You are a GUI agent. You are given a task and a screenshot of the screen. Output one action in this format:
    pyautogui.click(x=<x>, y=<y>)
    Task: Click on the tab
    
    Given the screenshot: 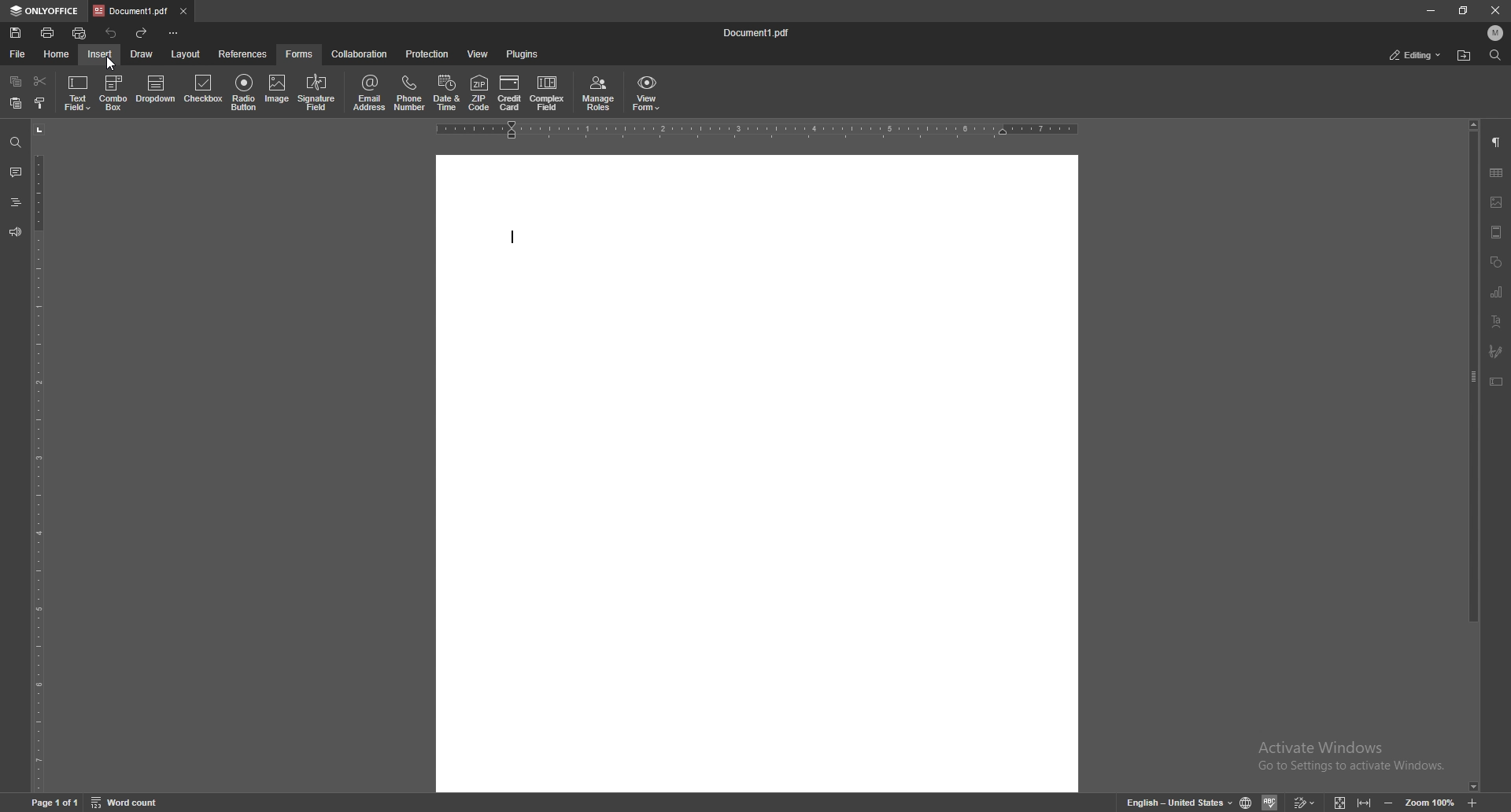 What is the action you would take?
    pyautogui.click(x=131, y=11)
    